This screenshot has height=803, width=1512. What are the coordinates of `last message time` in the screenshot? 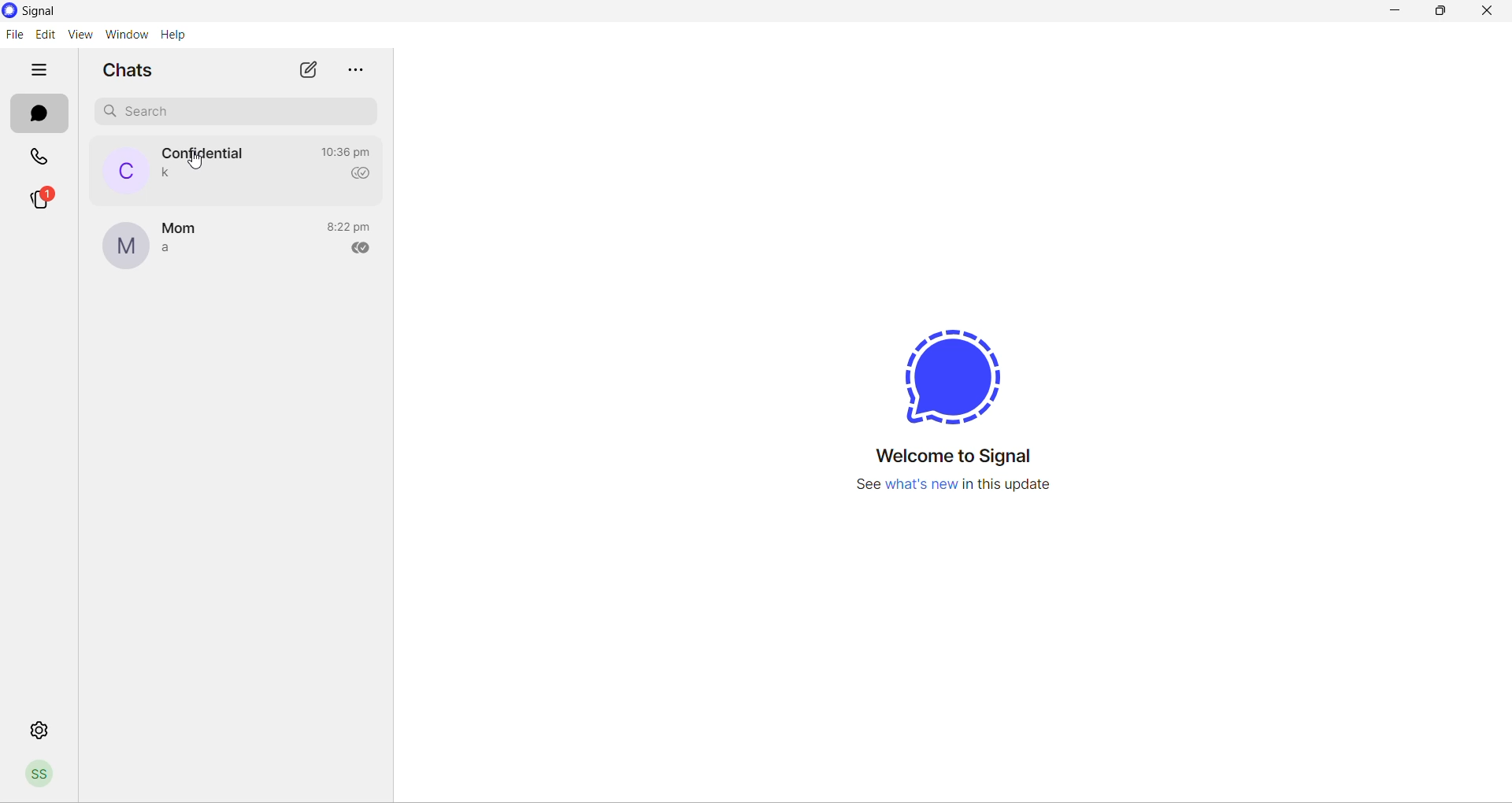 It's located at (352, 228).